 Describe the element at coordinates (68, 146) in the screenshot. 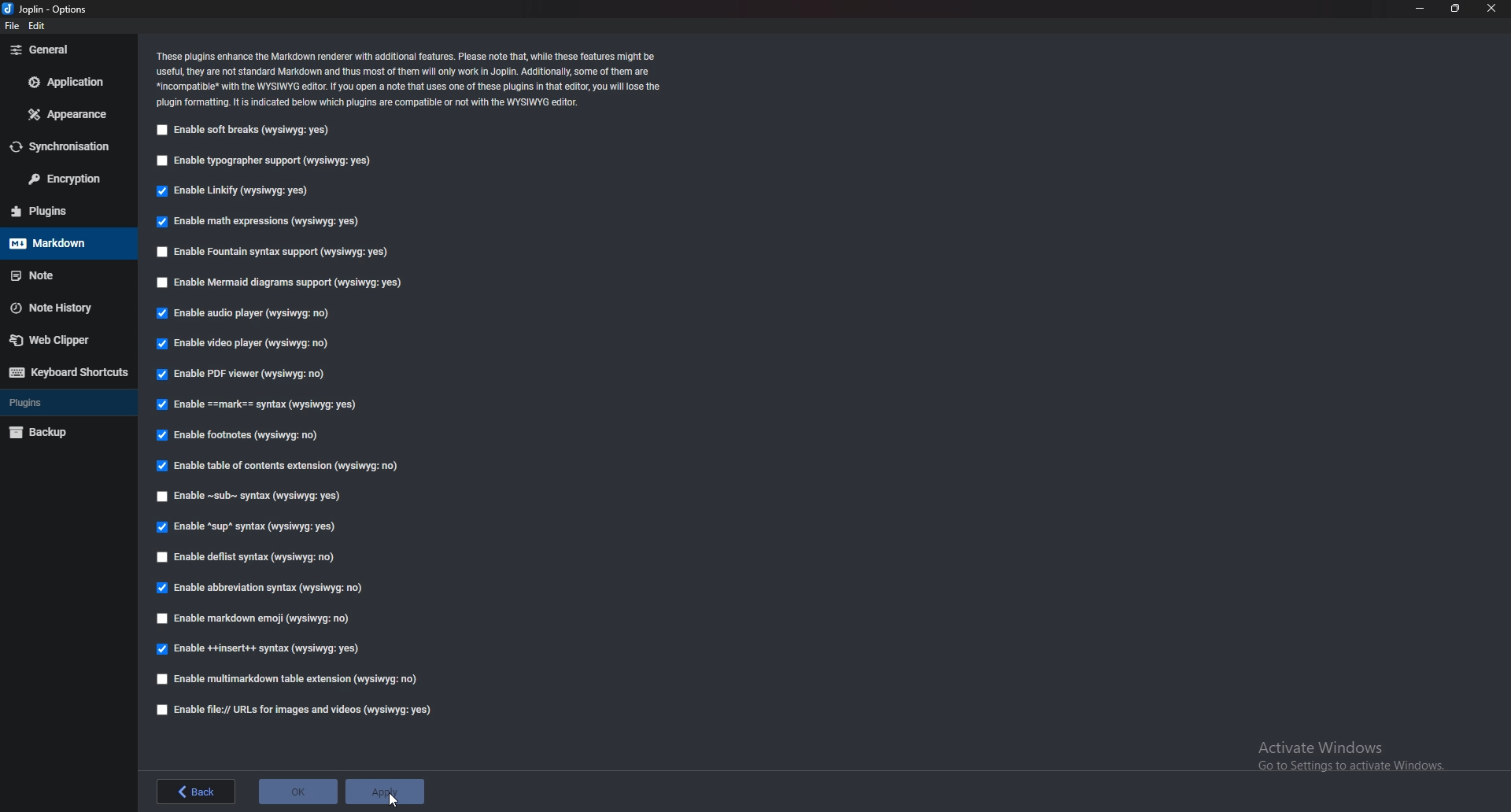

I see `Synchronization` at that location.